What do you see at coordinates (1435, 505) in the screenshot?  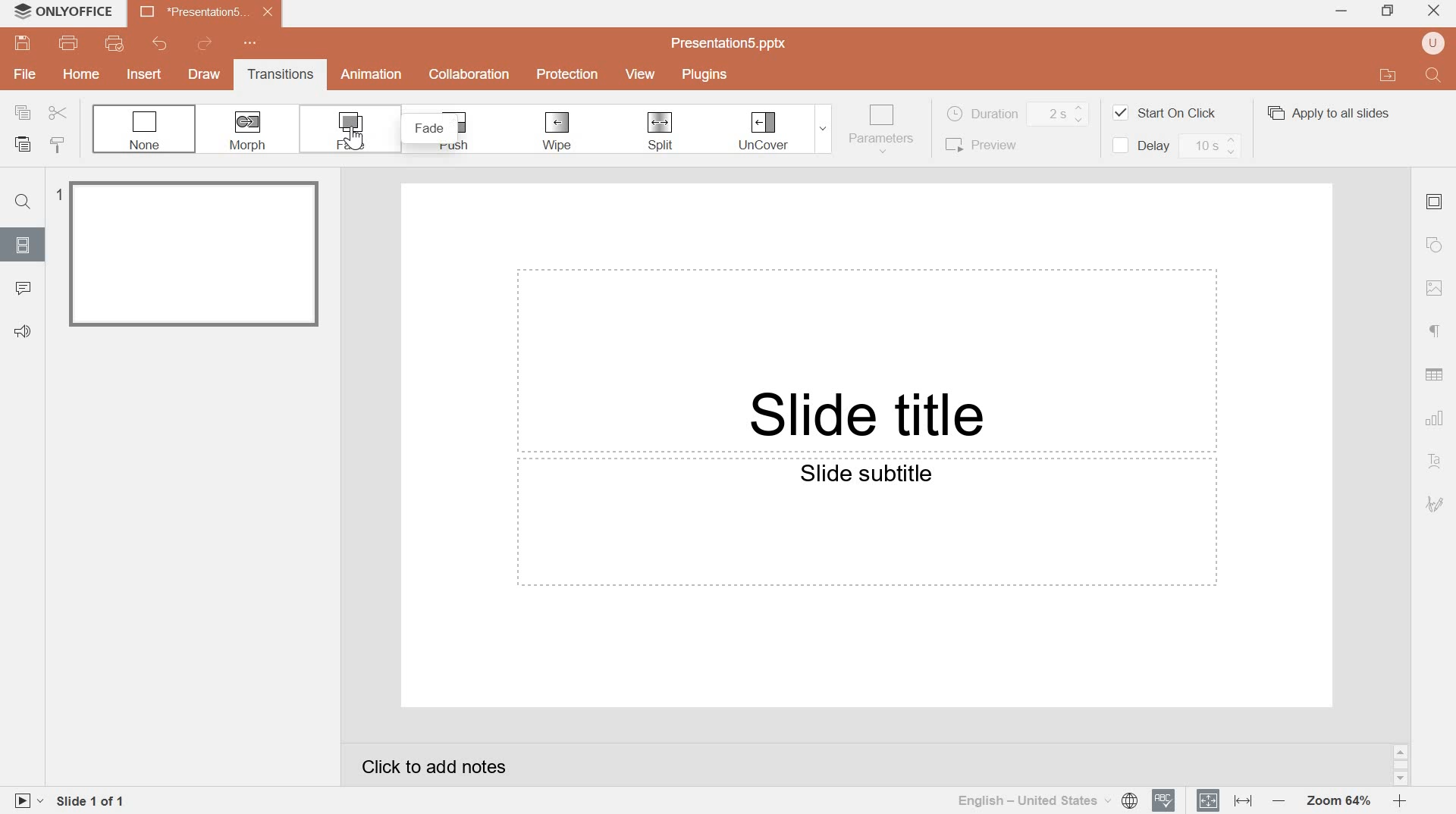 I see `signature` at bounding box center [1435, 505].